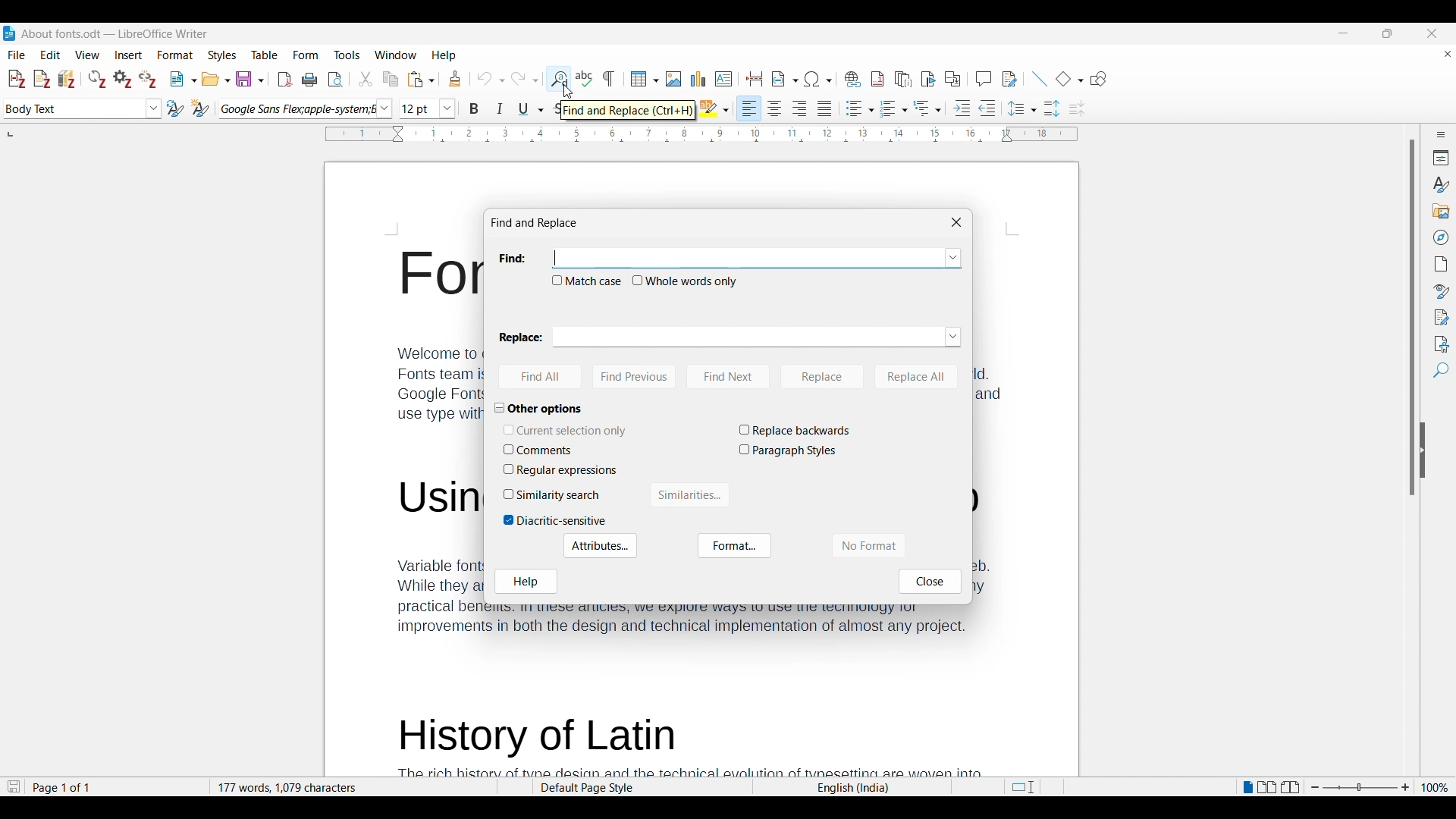 This screenshot has width=1456, height=819. Describe the element at coordinates (223, 55) in the screenshot. I see `Styles menu` at that location.